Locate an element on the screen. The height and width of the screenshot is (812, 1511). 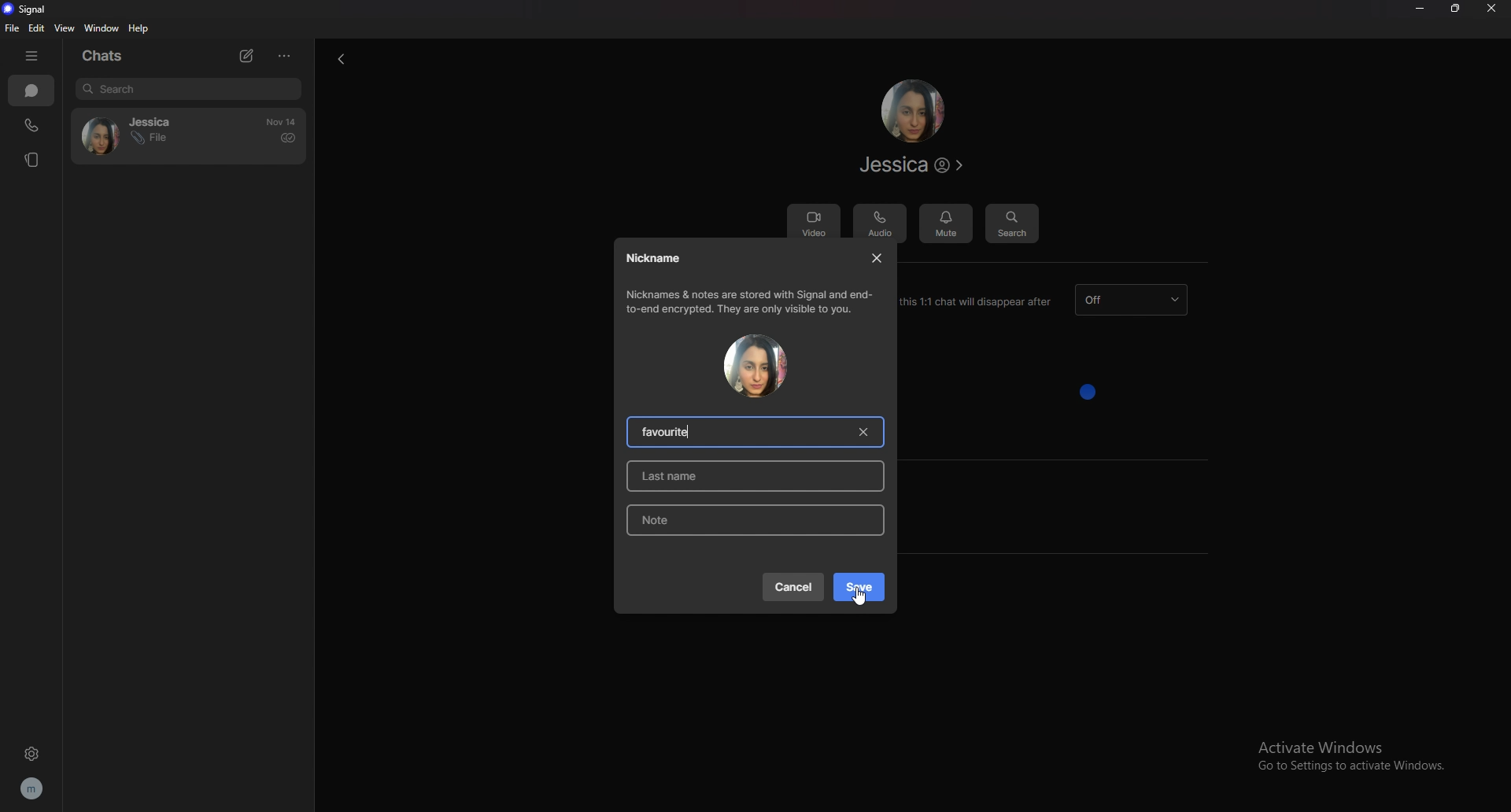
view is located at coordinates (66, 28).